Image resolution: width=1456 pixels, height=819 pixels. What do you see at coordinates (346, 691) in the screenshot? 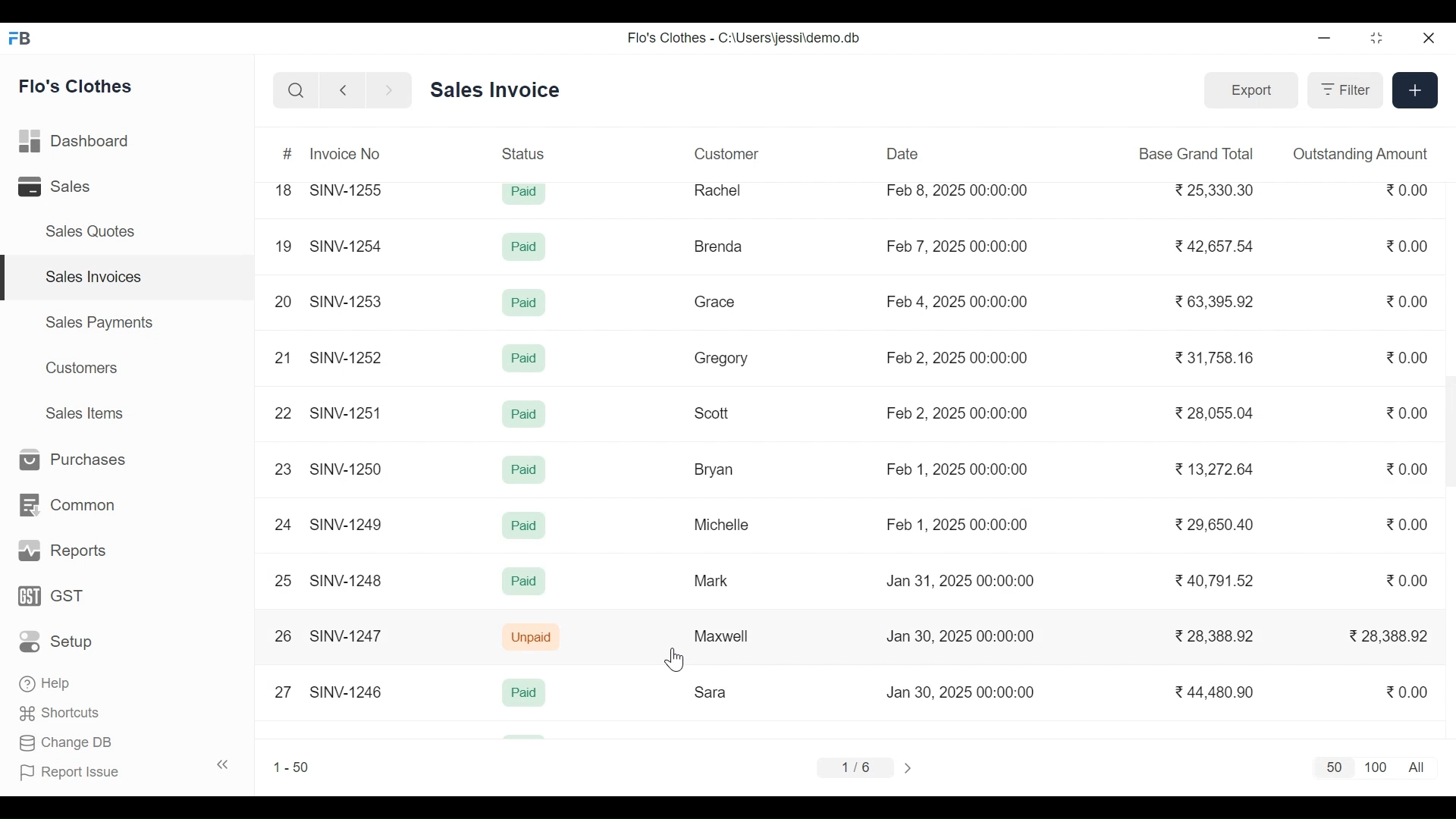
I see `SINV-1246` at bounding box center [346, 691].